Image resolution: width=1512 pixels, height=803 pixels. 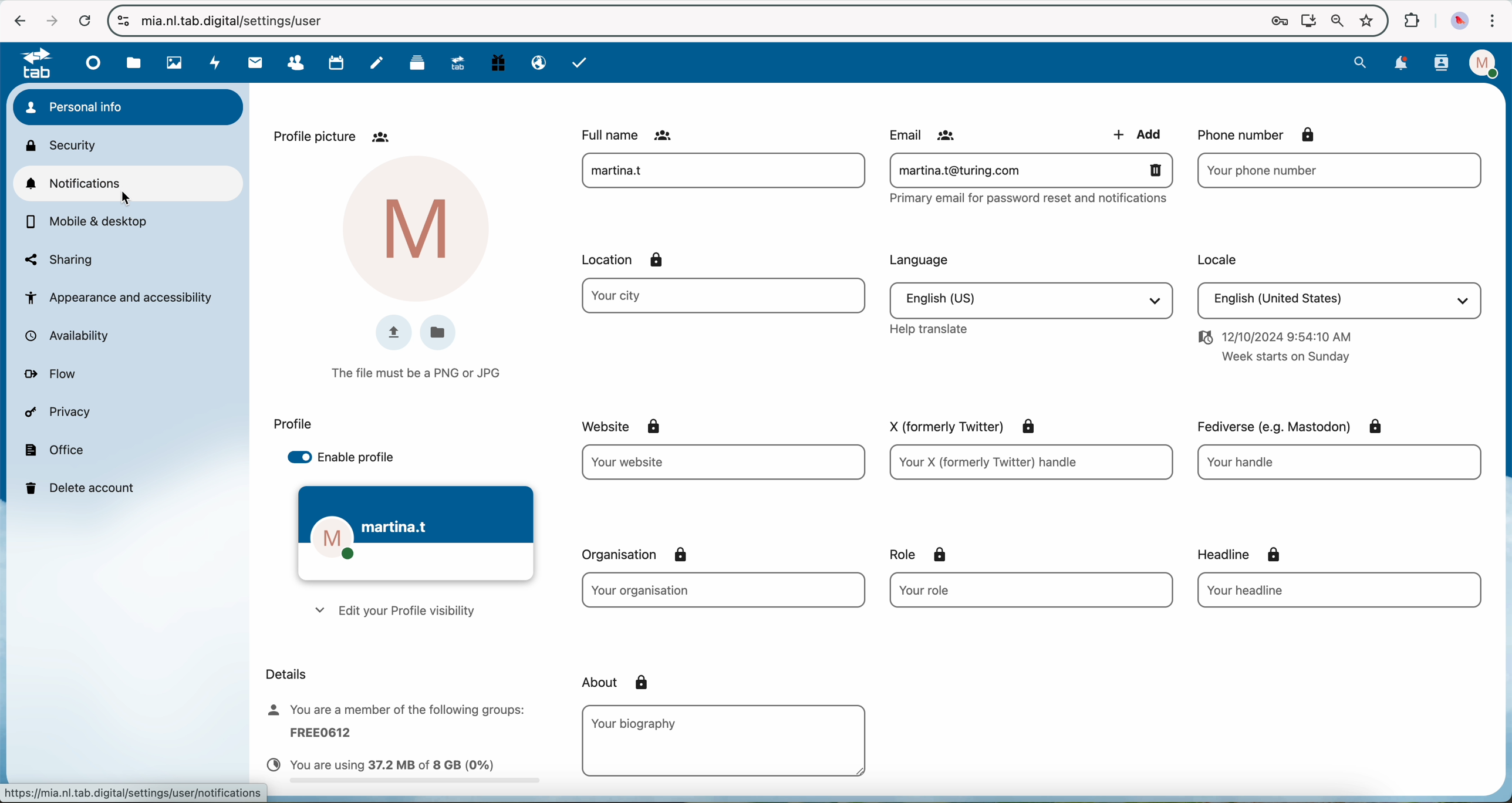 What do you see at coordinates (617, 680) in the screenshot?
I see `about` at bounding box center [617, 680].